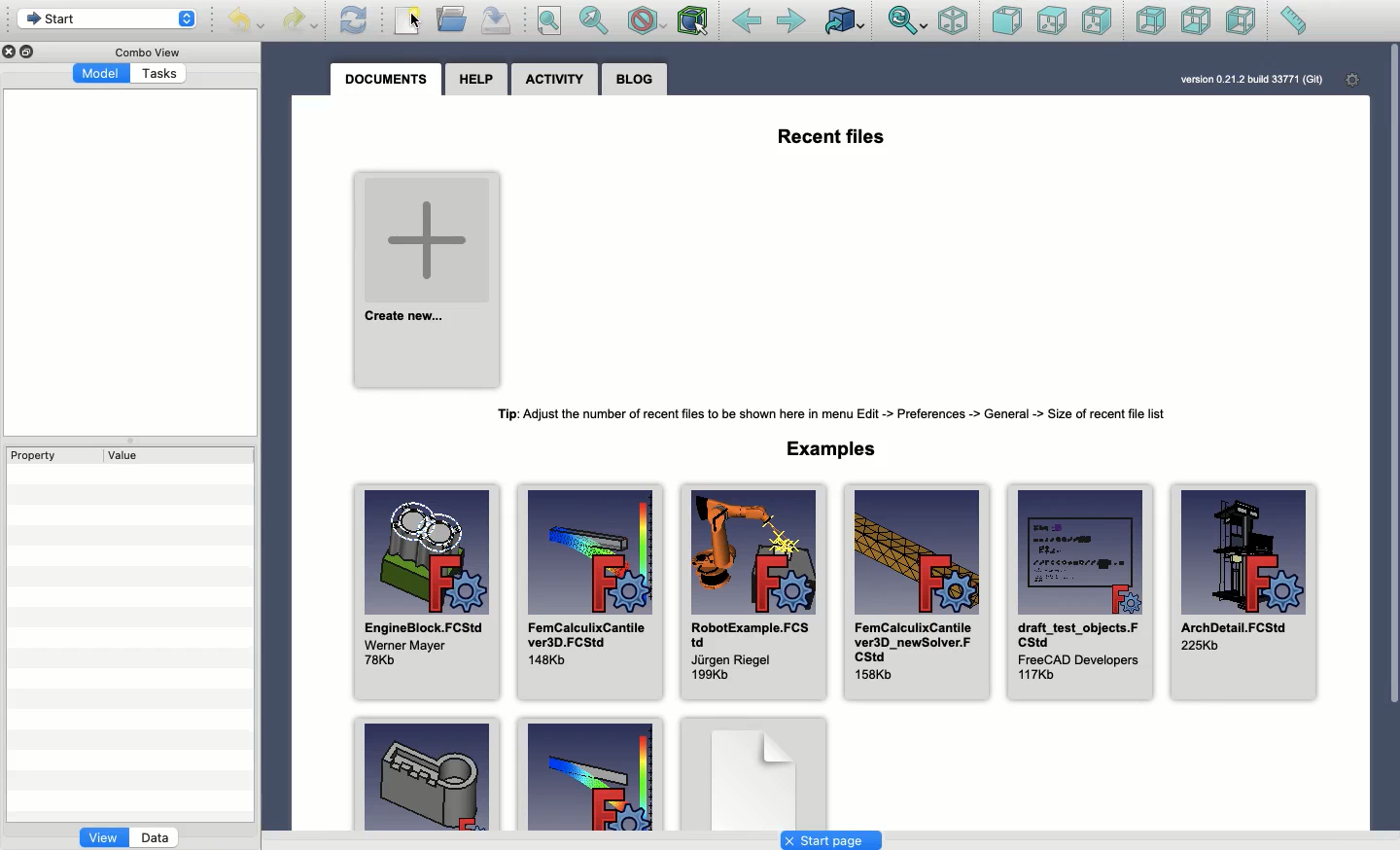  Describe the element at coordinates (107, 19) in the screenshot. I see `Workbench` at that location.